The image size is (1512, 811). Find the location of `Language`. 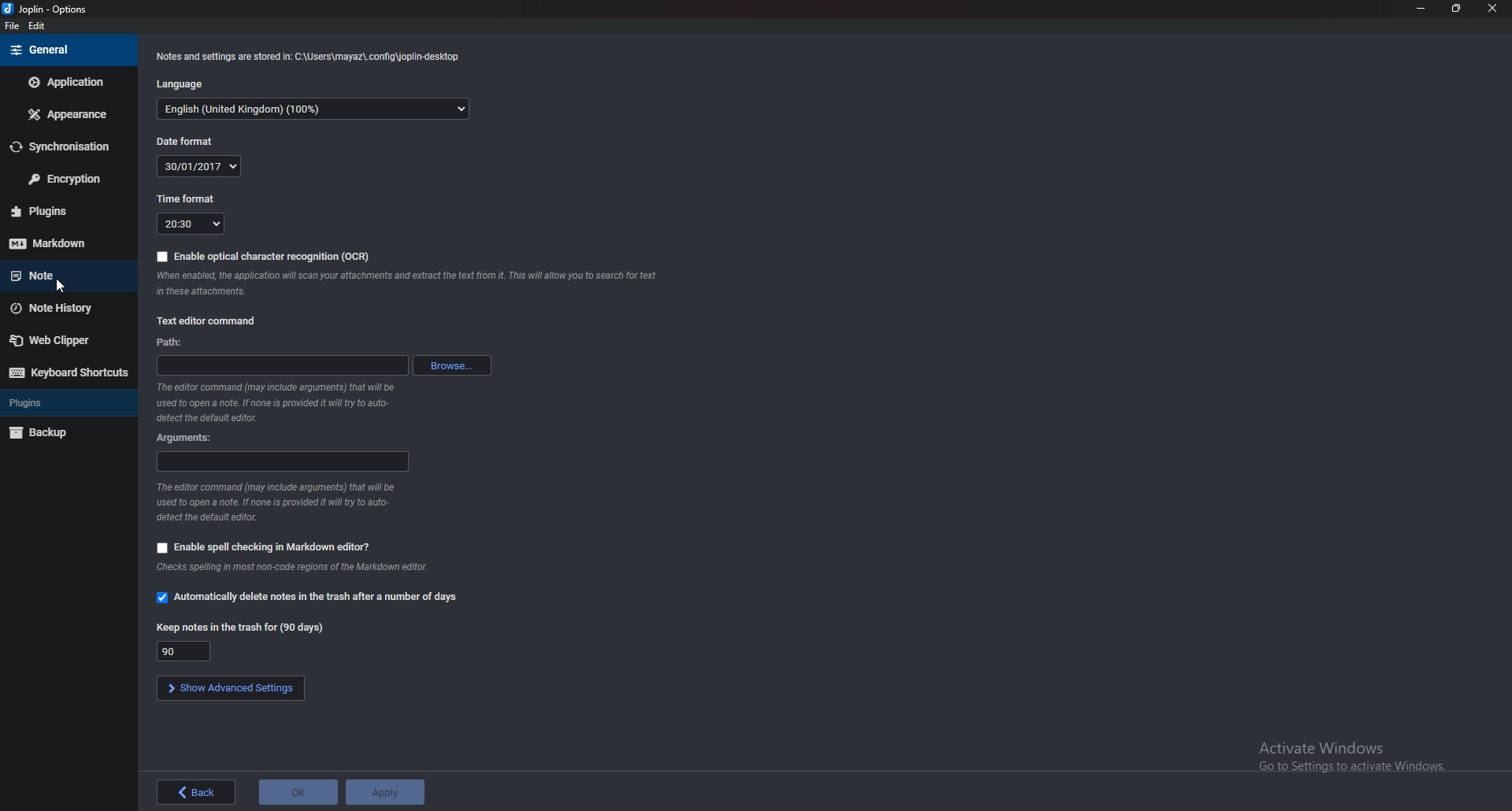

Language is located at coordinates (313, 109).